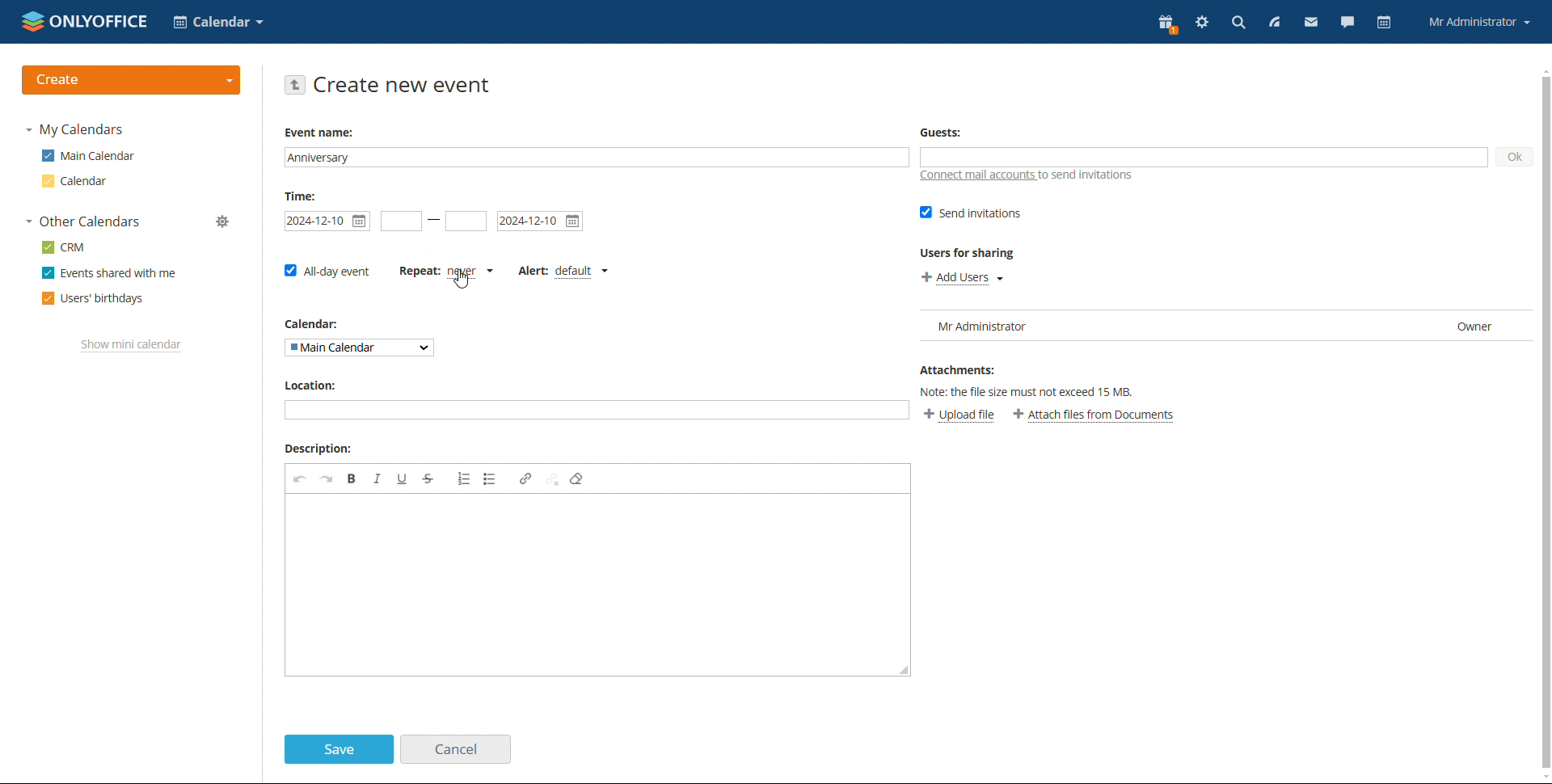 This screenshot has width=1552, height=784. What do you see at coordinates (361, 348) in the screenshot?
I see `select calendar` at bounding box center [361, 348].